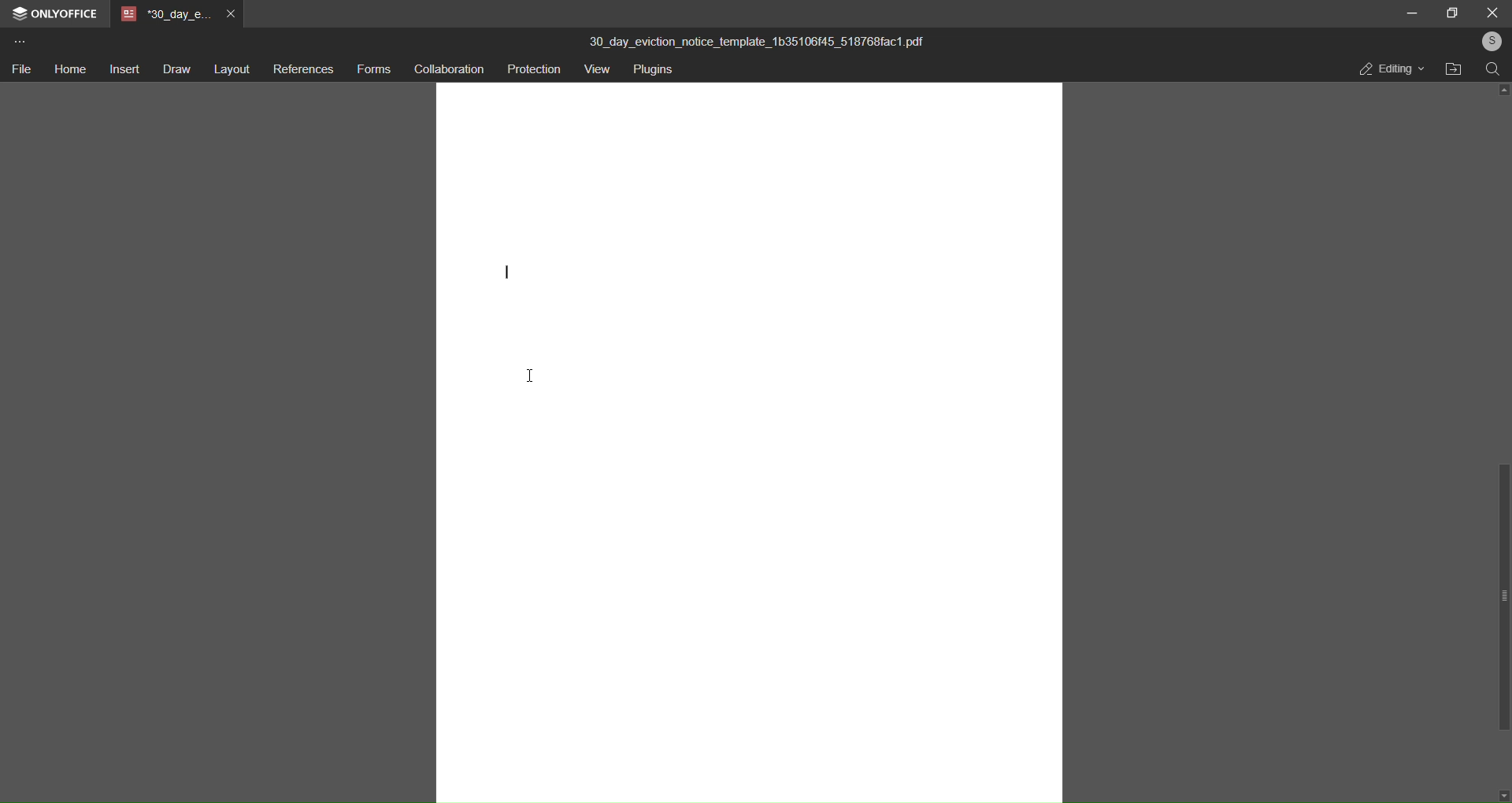 The height and width of the screenshot is (803, 1512). Describe the element at coordinates (164, 16) in the screenshot. I see `tab name` at that location.